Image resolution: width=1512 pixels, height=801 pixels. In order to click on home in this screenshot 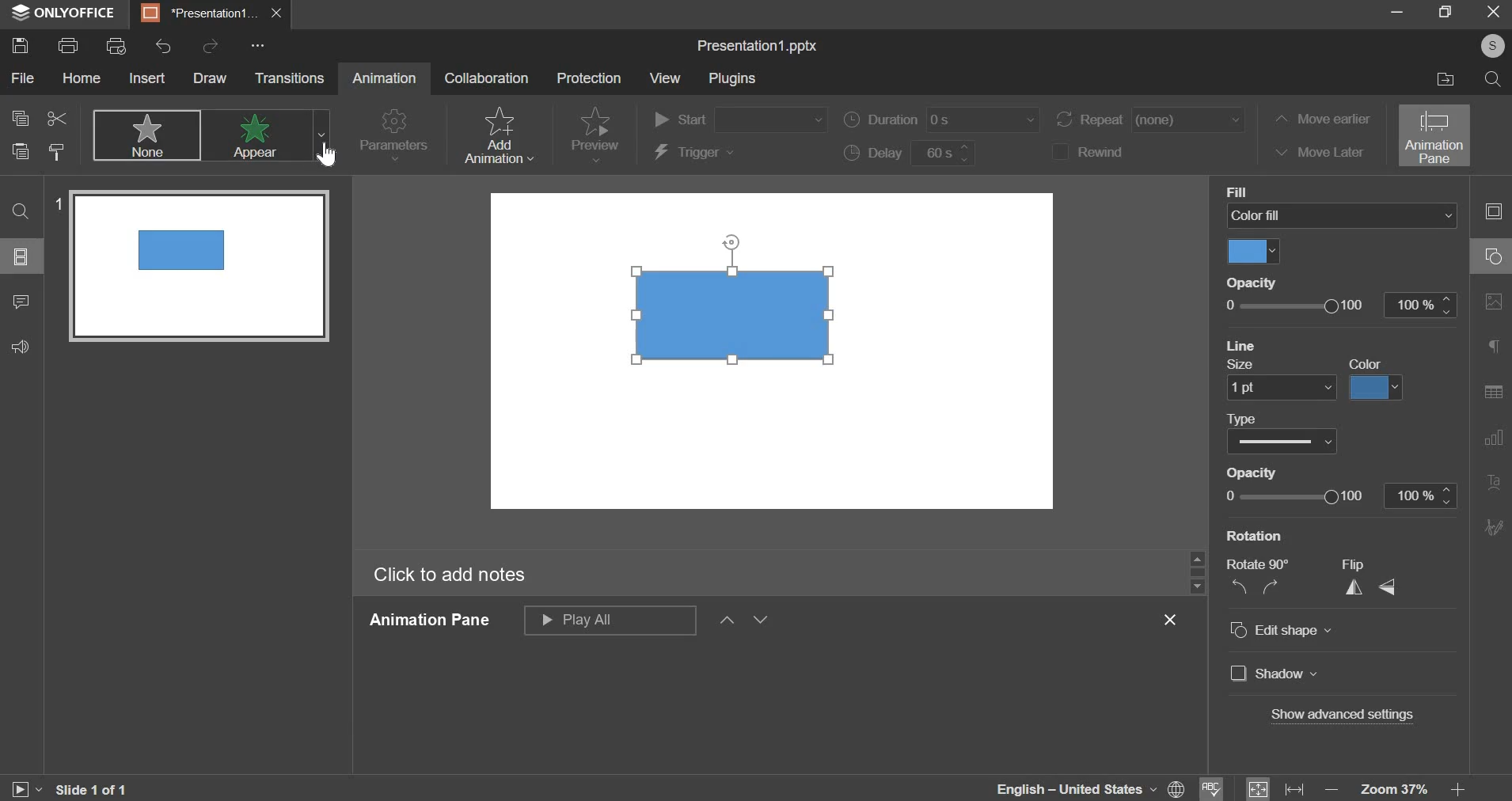, I will do `click(78, 80)`.